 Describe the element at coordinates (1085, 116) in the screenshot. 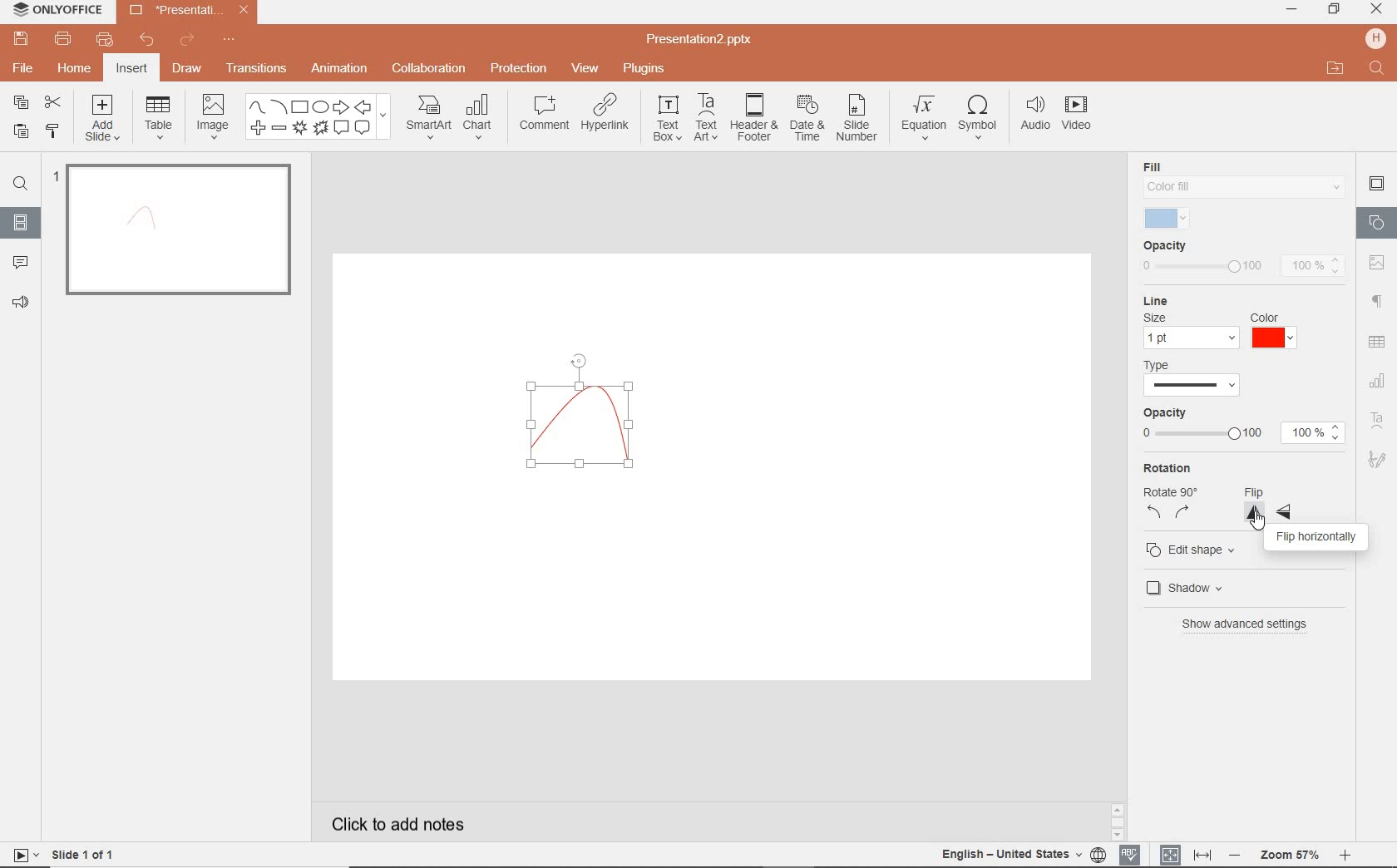

I see `VIDEO` at that location.